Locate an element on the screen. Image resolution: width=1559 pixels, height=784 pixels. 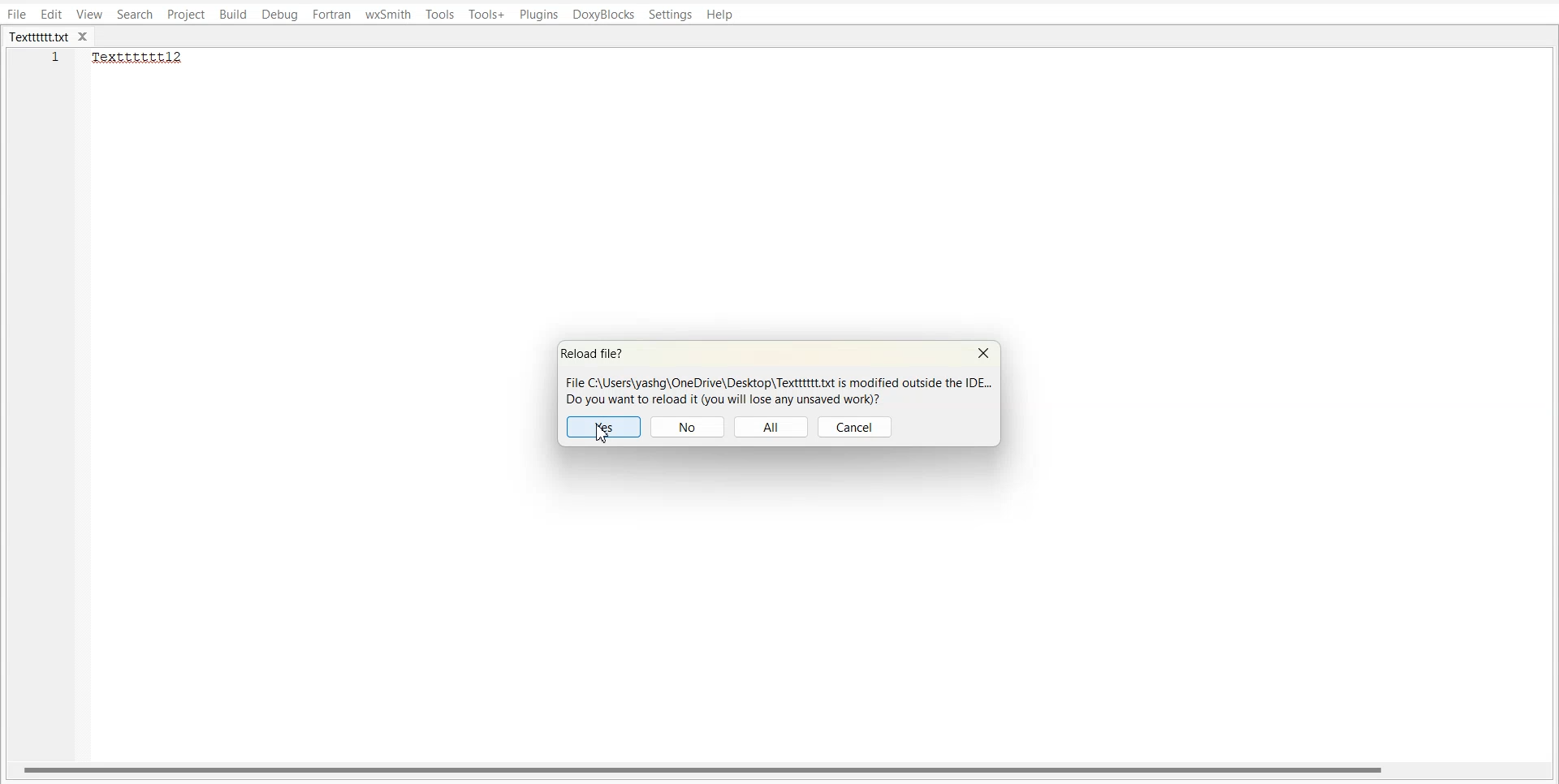
Tools+ is located at coordinates (487, 15).